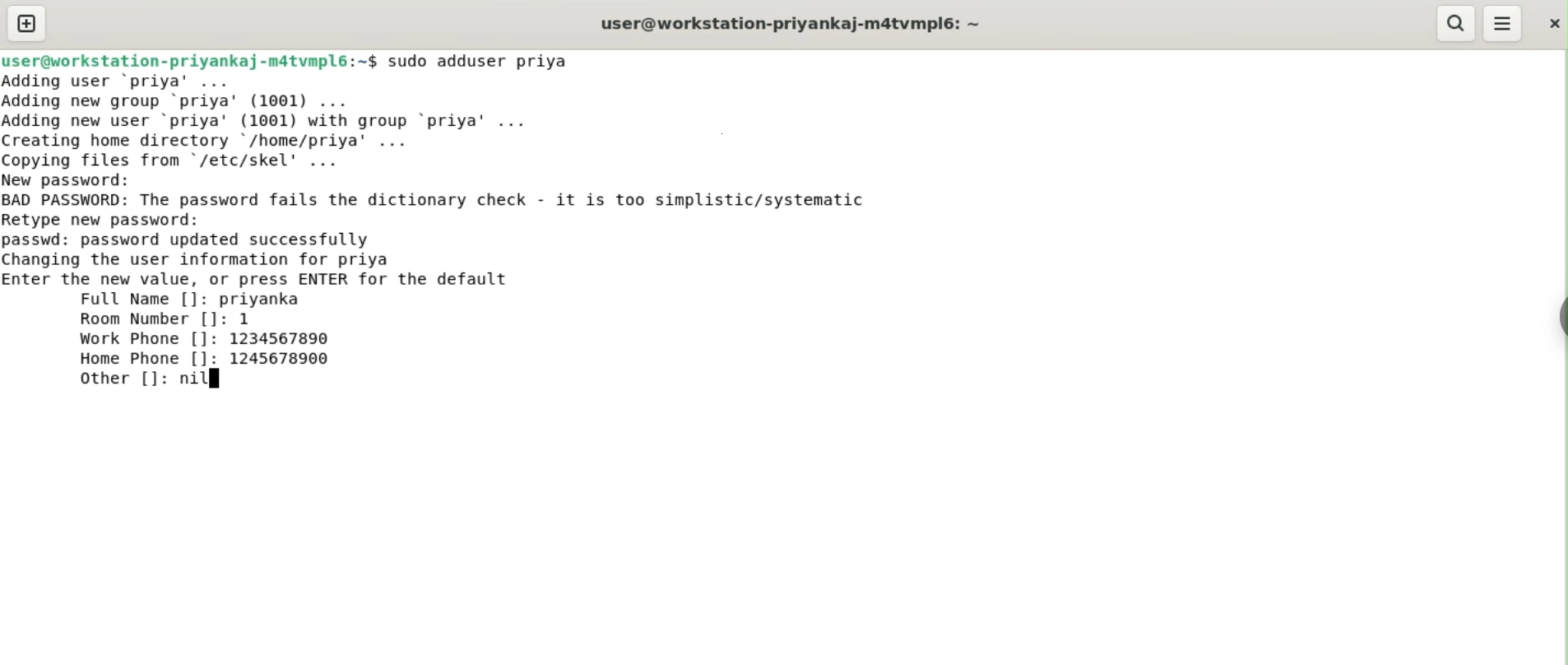  What do you see at coordinates (1504, 24) in the screenshot?
I see `menu` at bounding box center [1504, 24].